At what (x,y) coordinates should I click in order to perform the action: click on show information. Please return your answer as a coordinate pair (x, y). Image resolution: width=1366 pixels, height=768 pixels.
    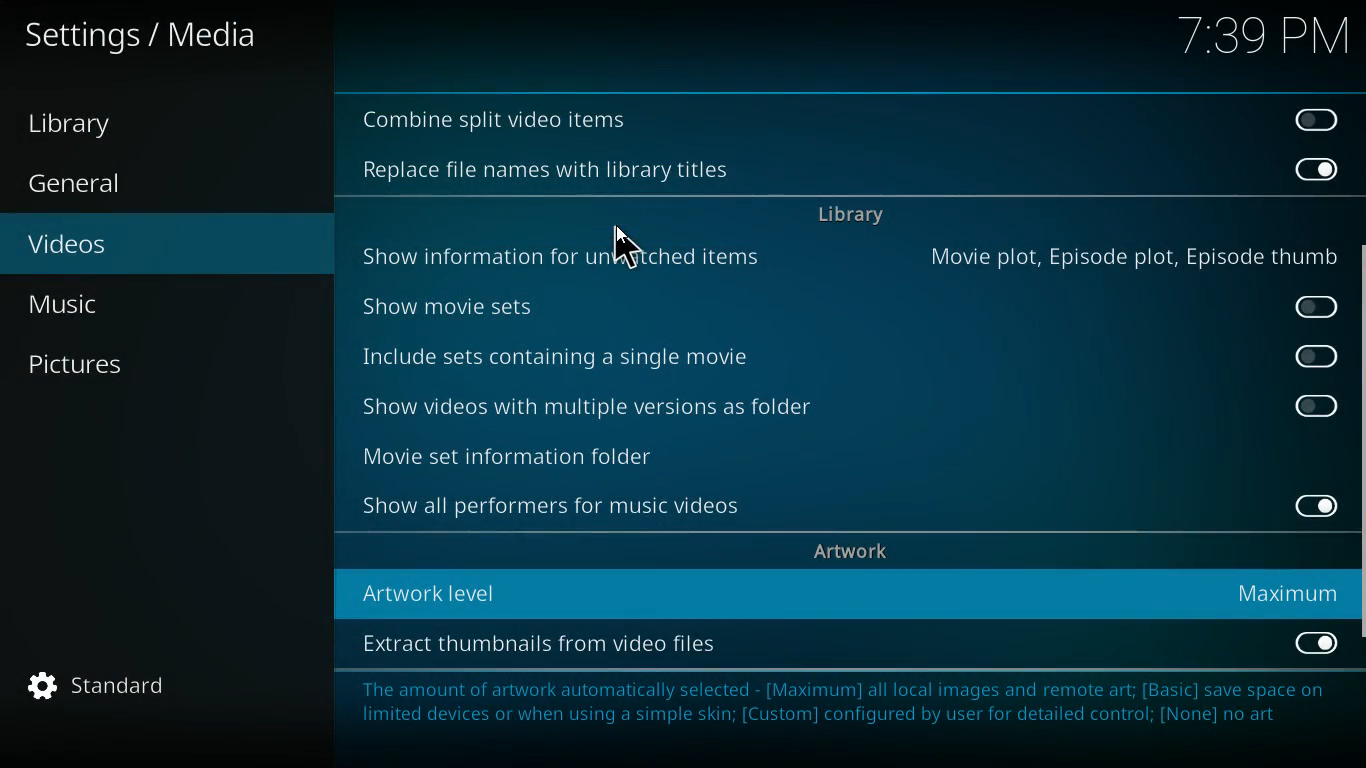
    Looking at the image, I should click on (569, 253).